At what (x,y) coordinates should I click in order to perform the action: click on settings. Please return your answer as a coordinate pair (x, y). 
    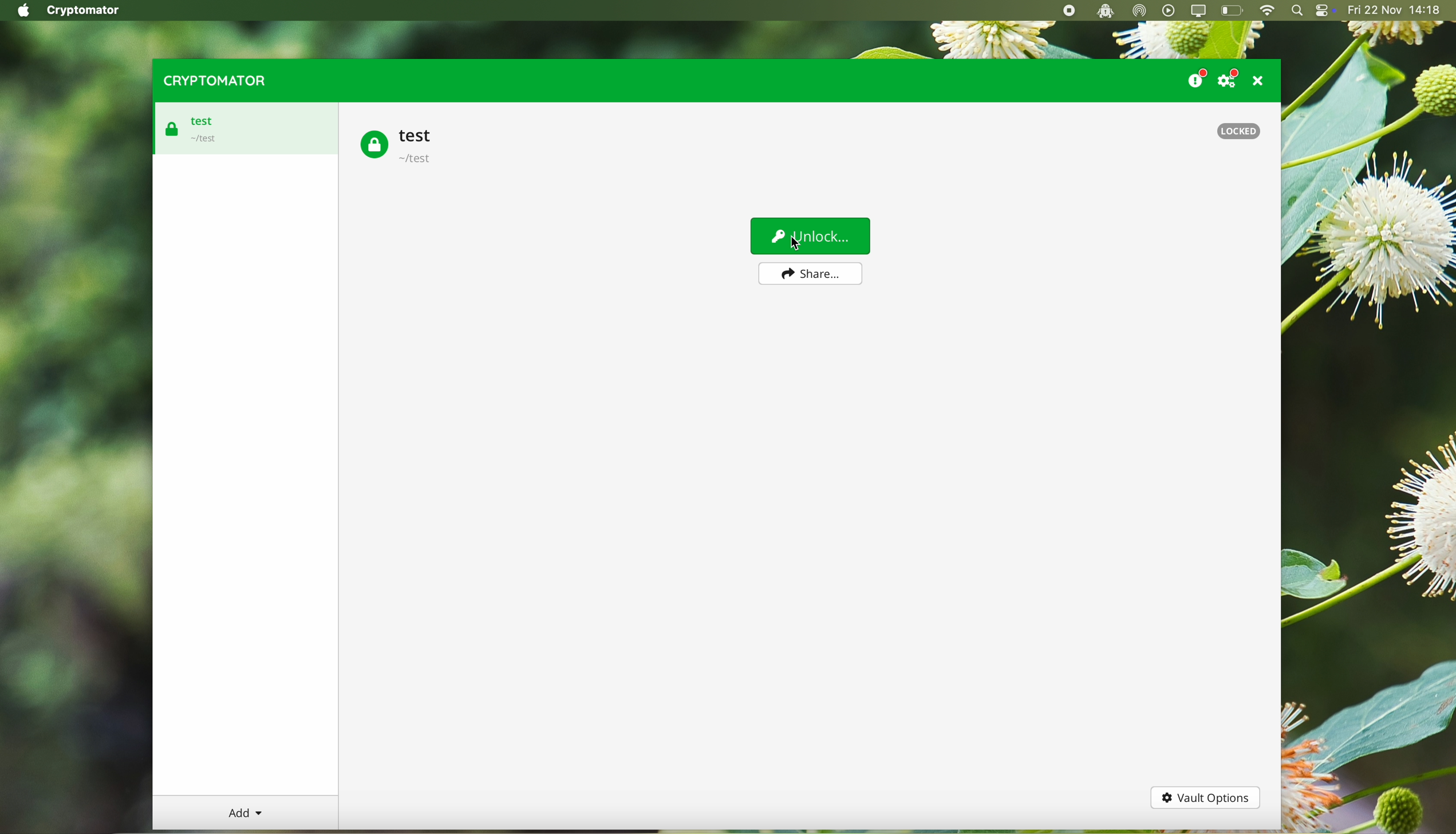
    Looking at the image, I should click on (1231, 78).